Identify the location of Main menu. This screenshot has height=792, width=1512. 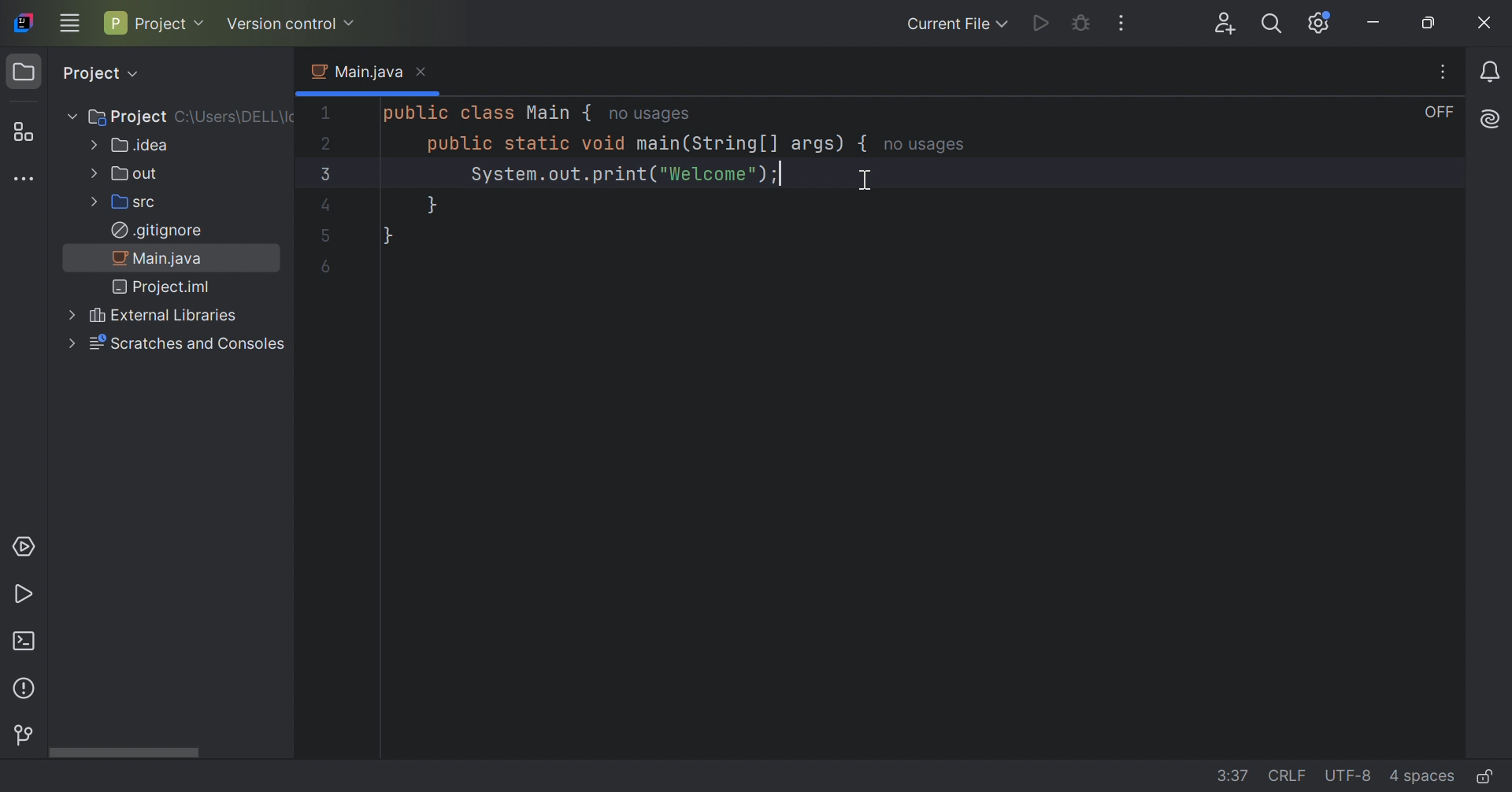
(71, 22).